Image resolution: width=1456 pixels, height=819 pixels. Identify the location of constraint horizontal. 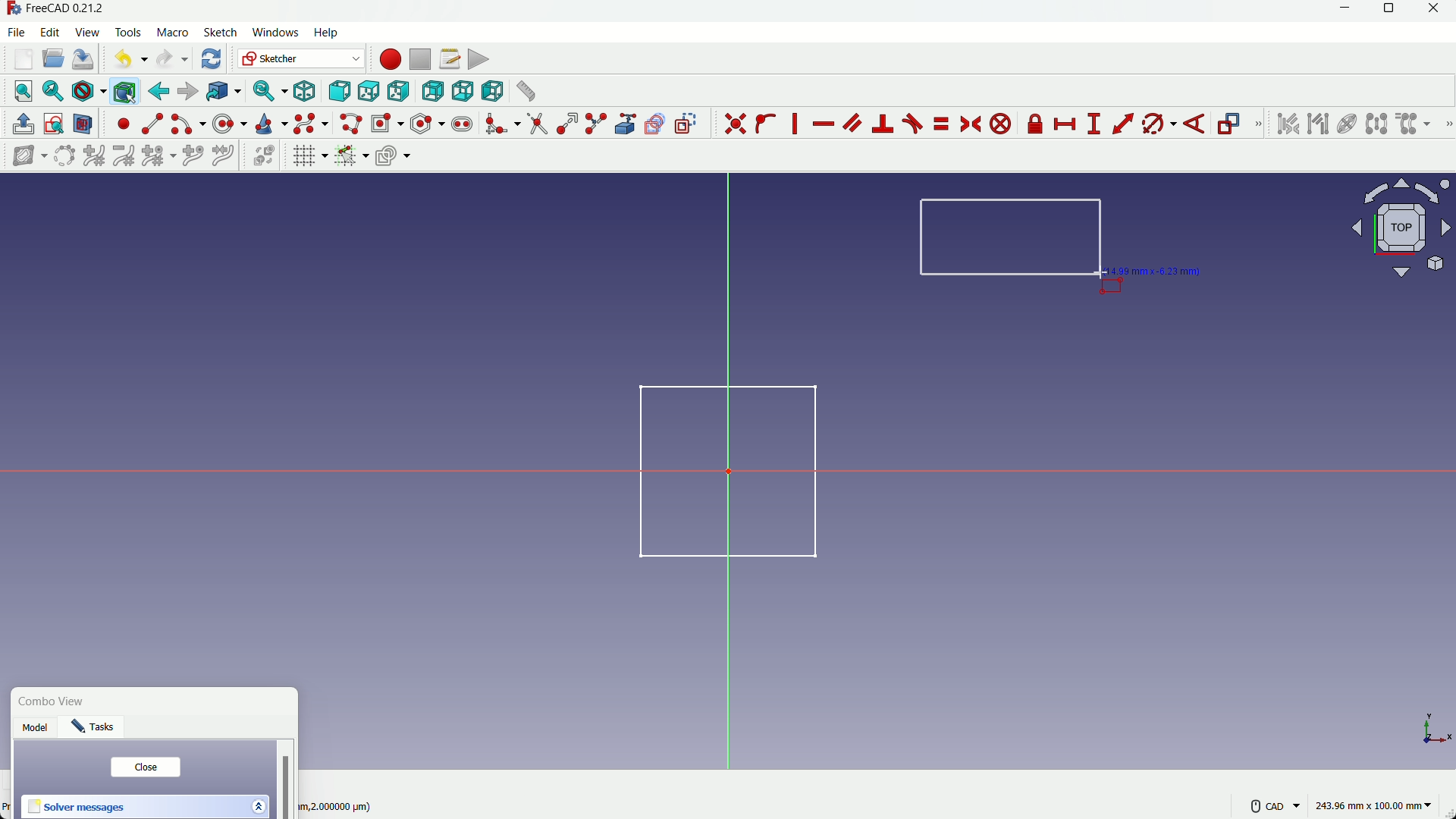
(823, 125).